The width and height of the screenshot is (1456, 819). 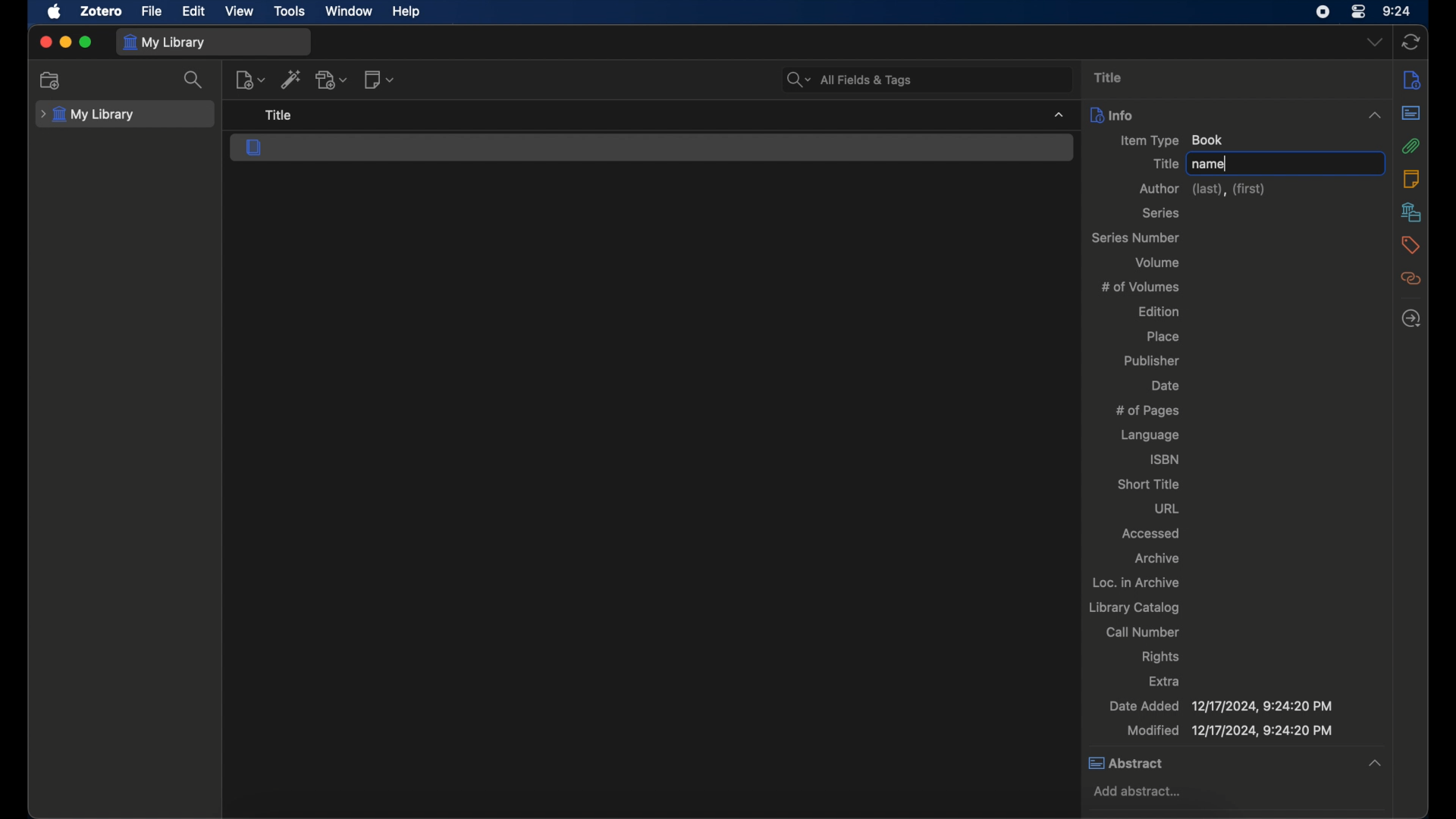 What do you see at coordinates (250, 81) in the screenshot?
I see `new item` at bounding box center [250, 81].